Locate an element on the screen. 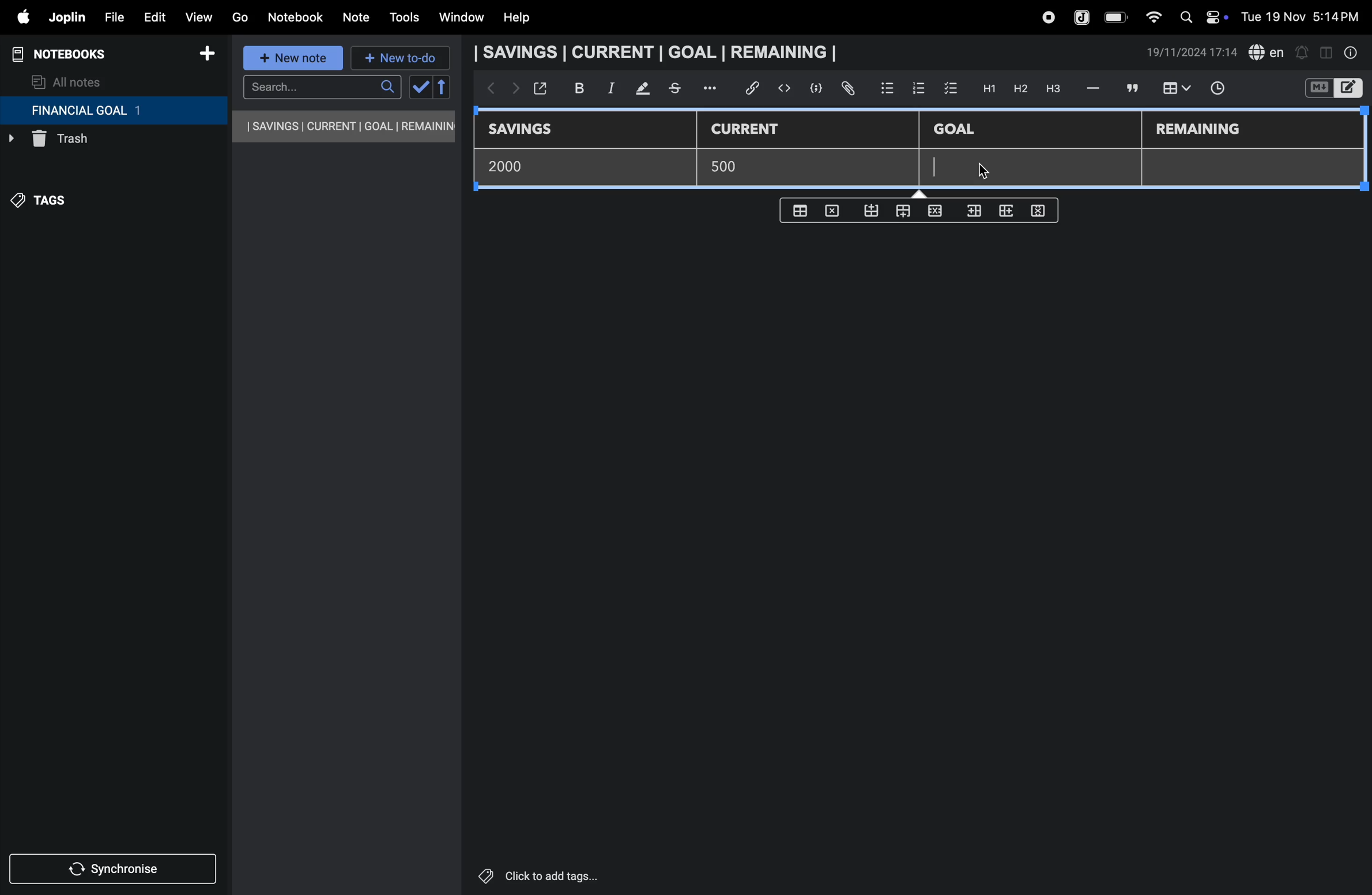  check is located at coordinates (419, 88).